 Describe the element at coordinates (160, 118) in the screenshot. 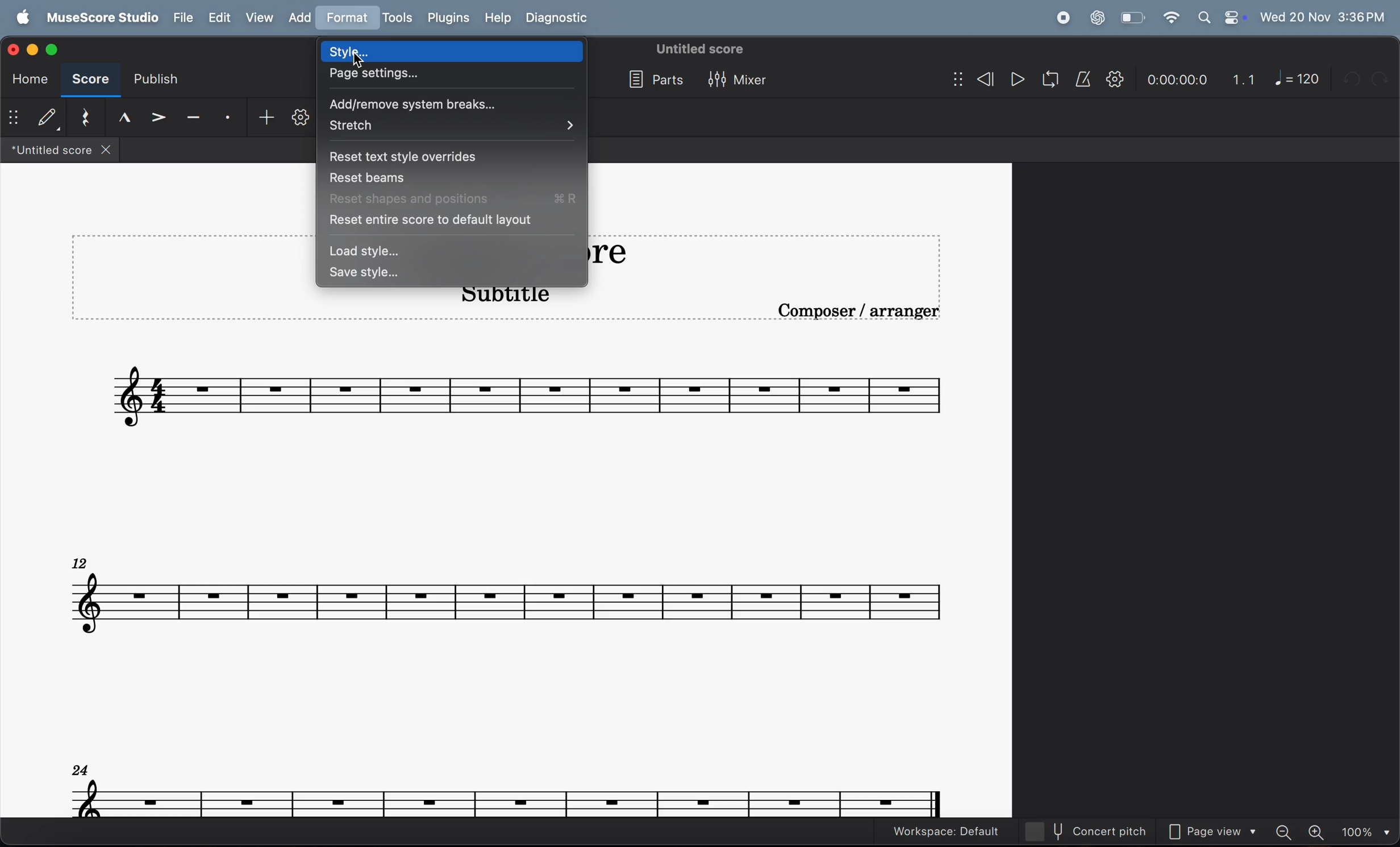

I see `accent` at that location.